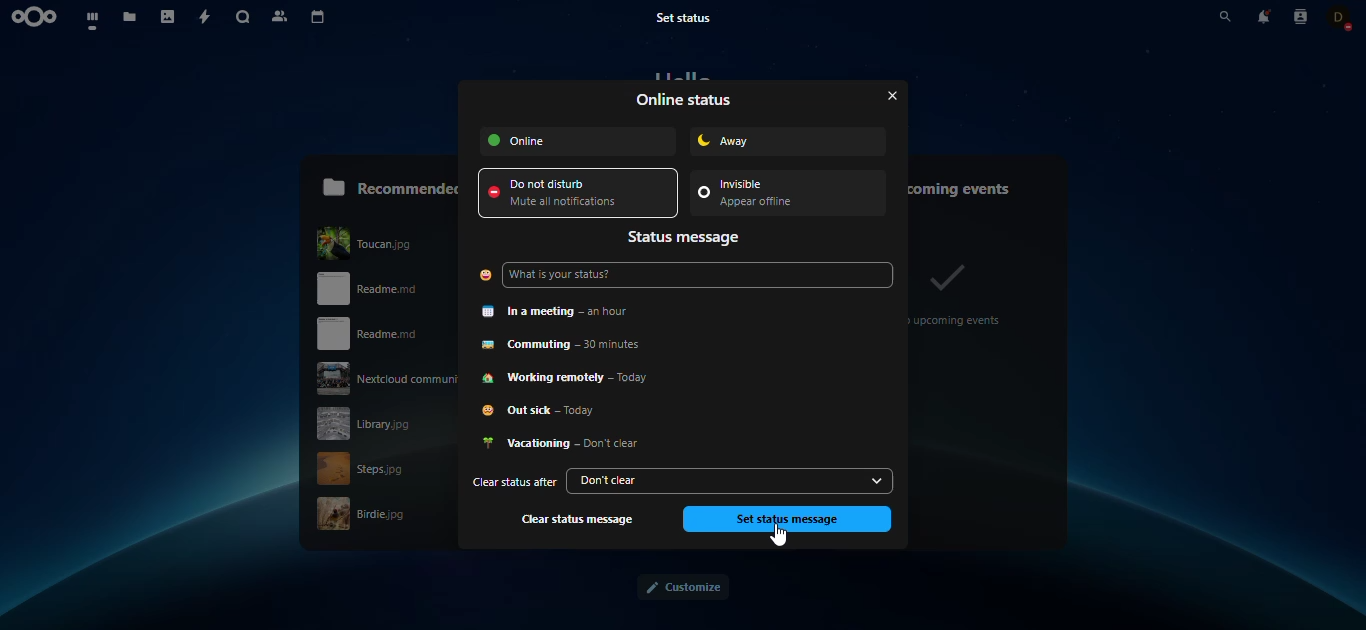 This screenshot has height=630, width=1366. What do you see at coordinates (959, 292) in the screenshot?
I see `no upcoming events` at bounding box center [959, 292].